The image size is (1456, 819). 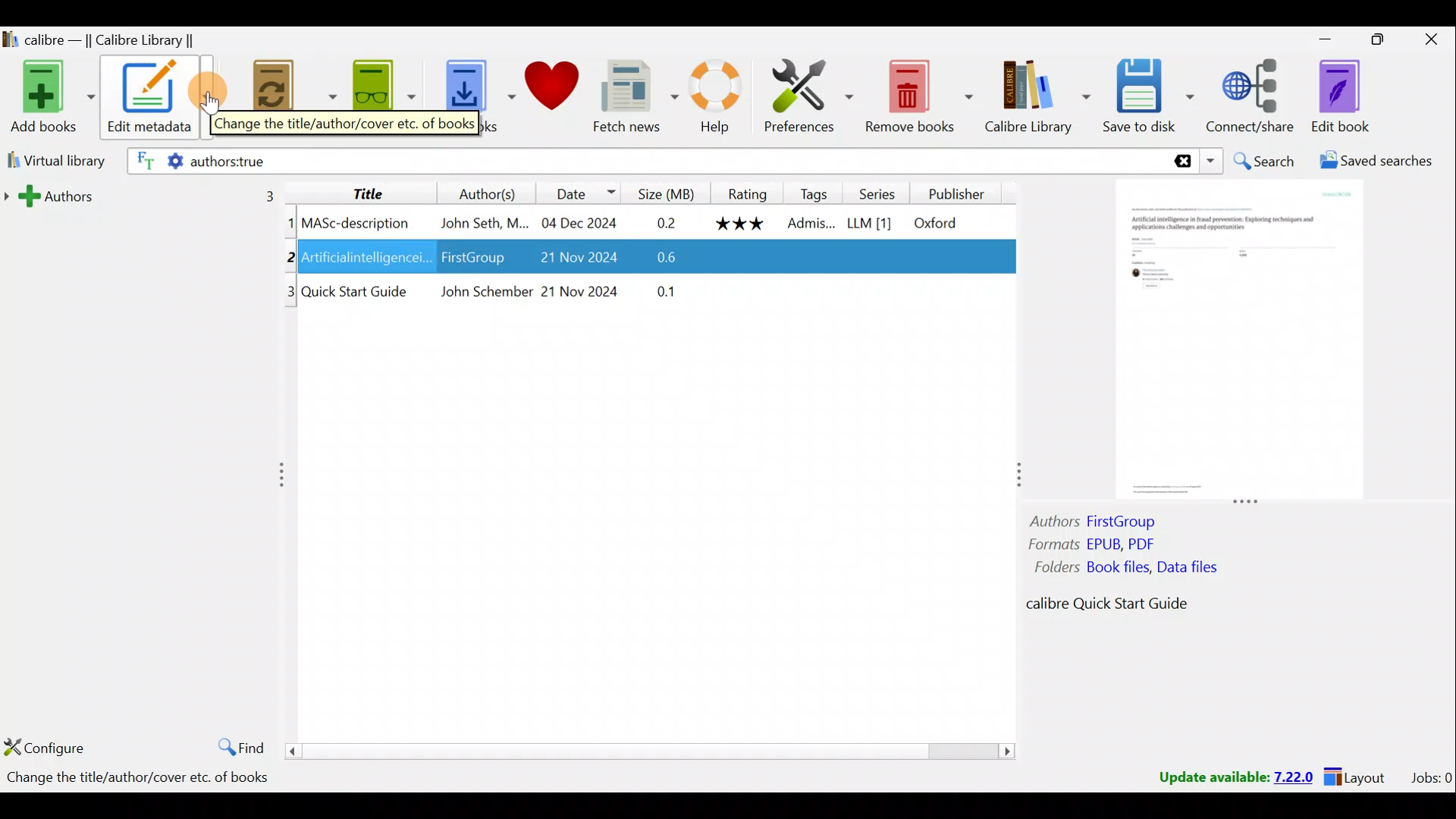 What do you see at coordinates (884, 193) in the screenshot?
I see `Series` at bounding box center [884, 193].